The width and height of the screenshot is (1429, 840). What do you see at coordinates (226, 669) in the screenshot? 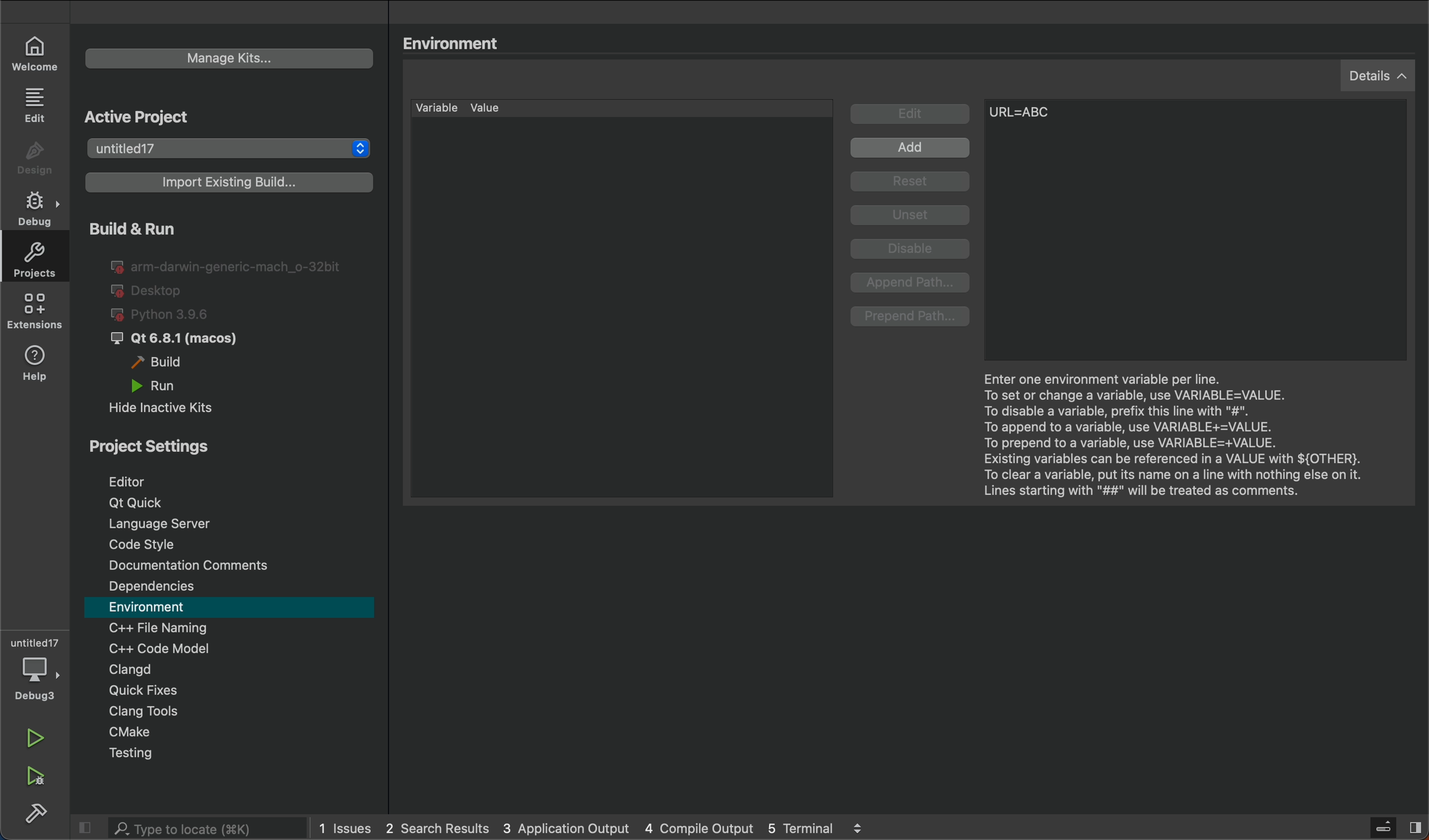
I see `Clangd` at bounding box center [226, 669].